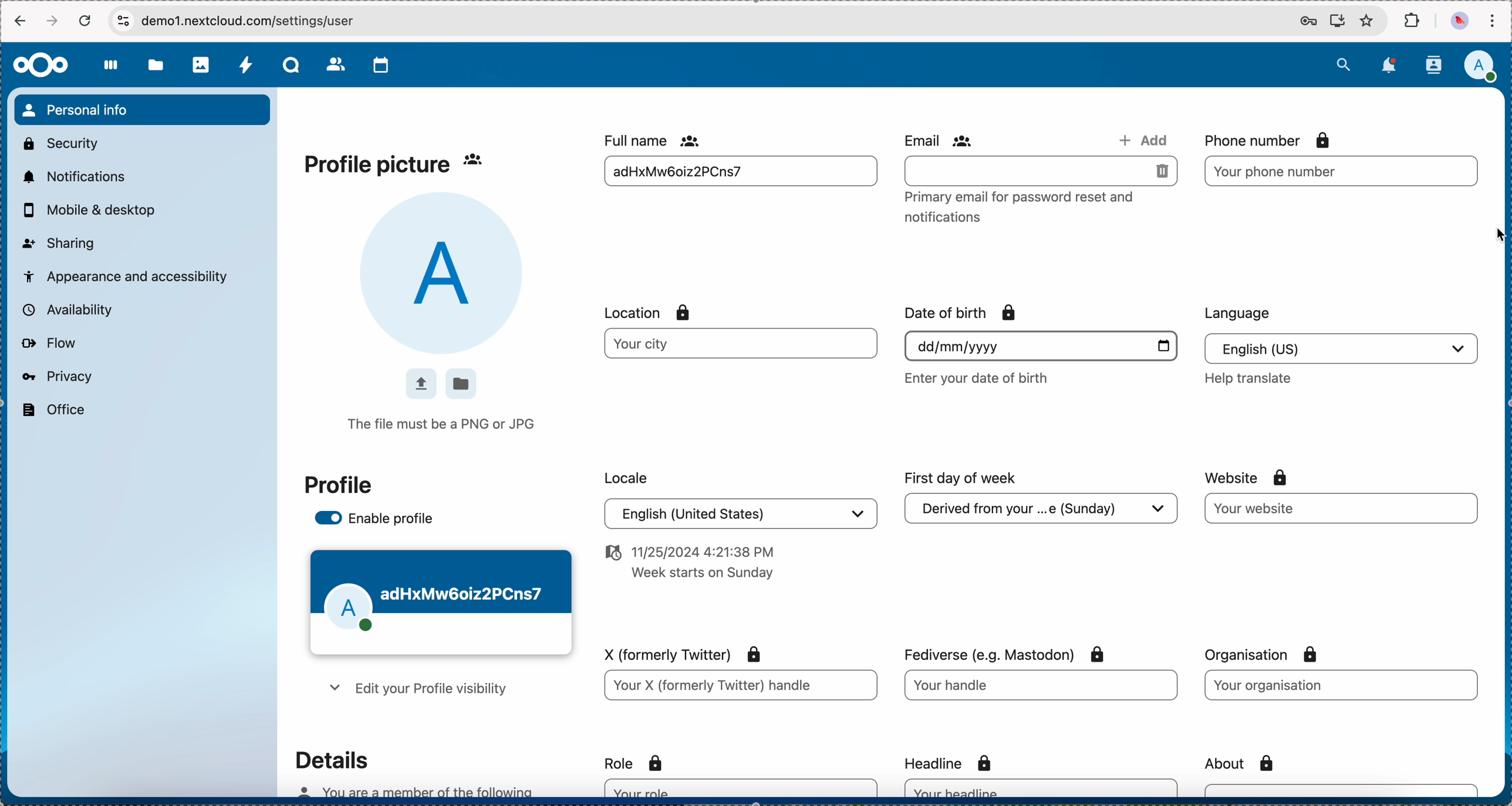  What do you see at coordinates (382, 65) in the screenshot?
I see `calendar` at bounding box center [382, 65].